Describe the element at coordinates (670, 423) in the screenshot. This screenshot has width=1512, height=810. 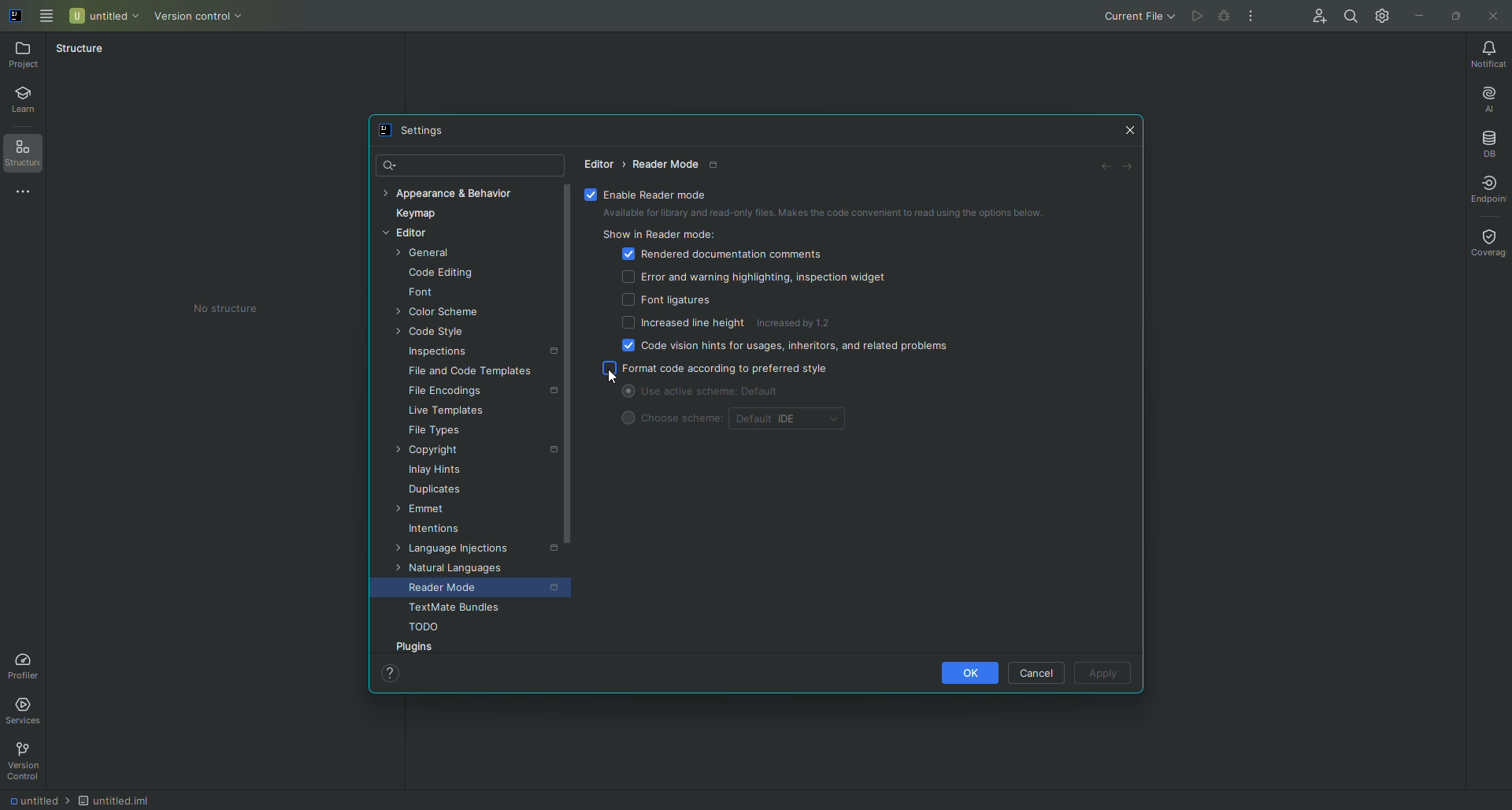
I see `Choose scheme` at that location.